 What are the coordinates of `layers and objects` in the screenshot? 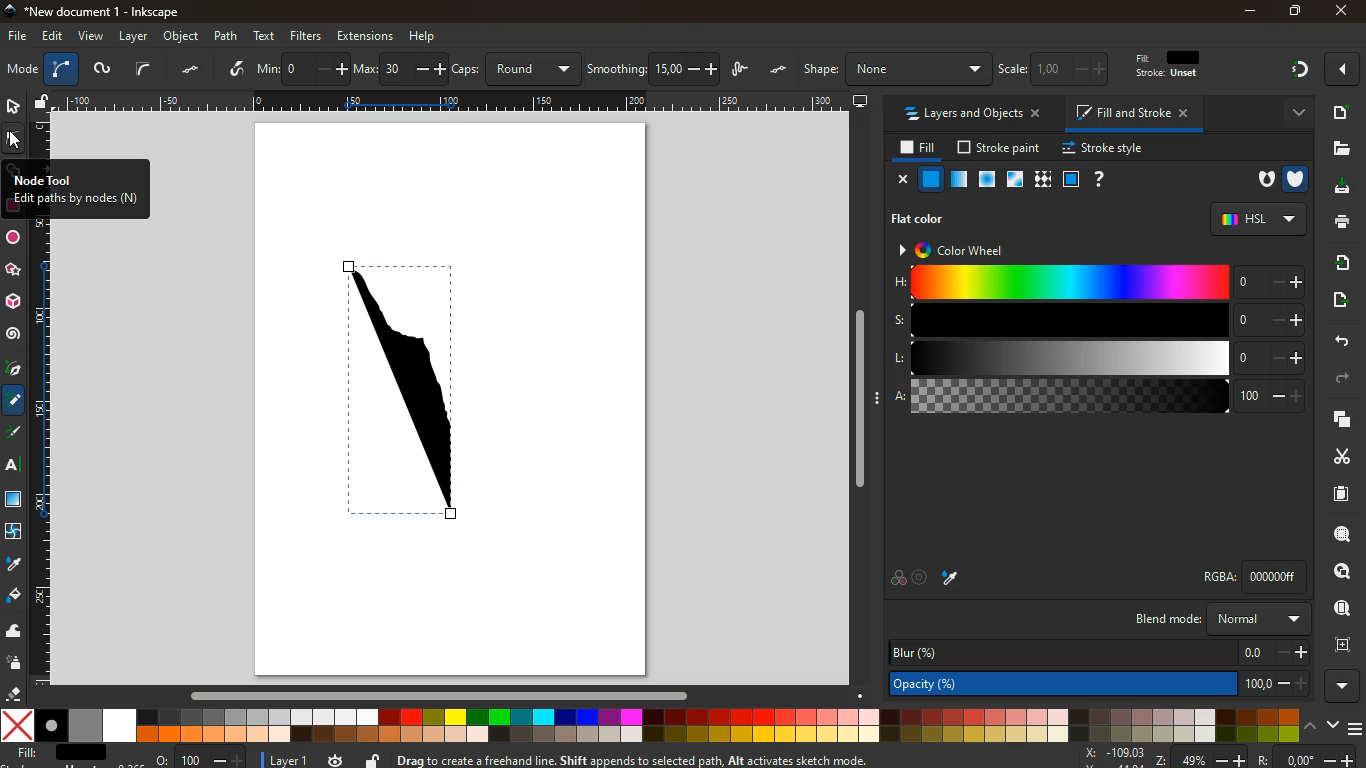 It's located at (970, 113).